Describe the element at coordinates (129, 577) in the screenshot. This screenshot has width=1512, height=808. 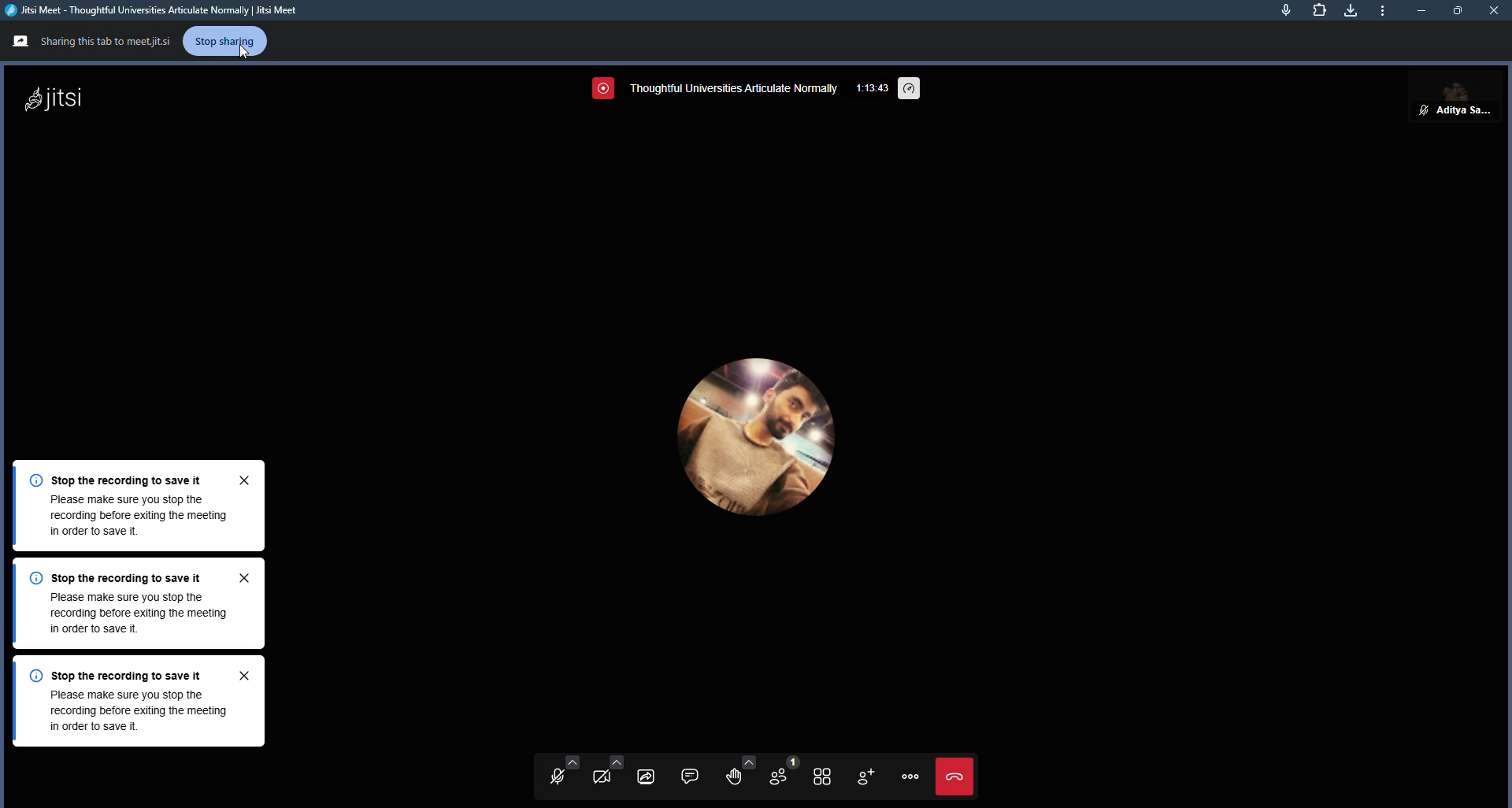
I see `») Stop the recording to save it` at that location.